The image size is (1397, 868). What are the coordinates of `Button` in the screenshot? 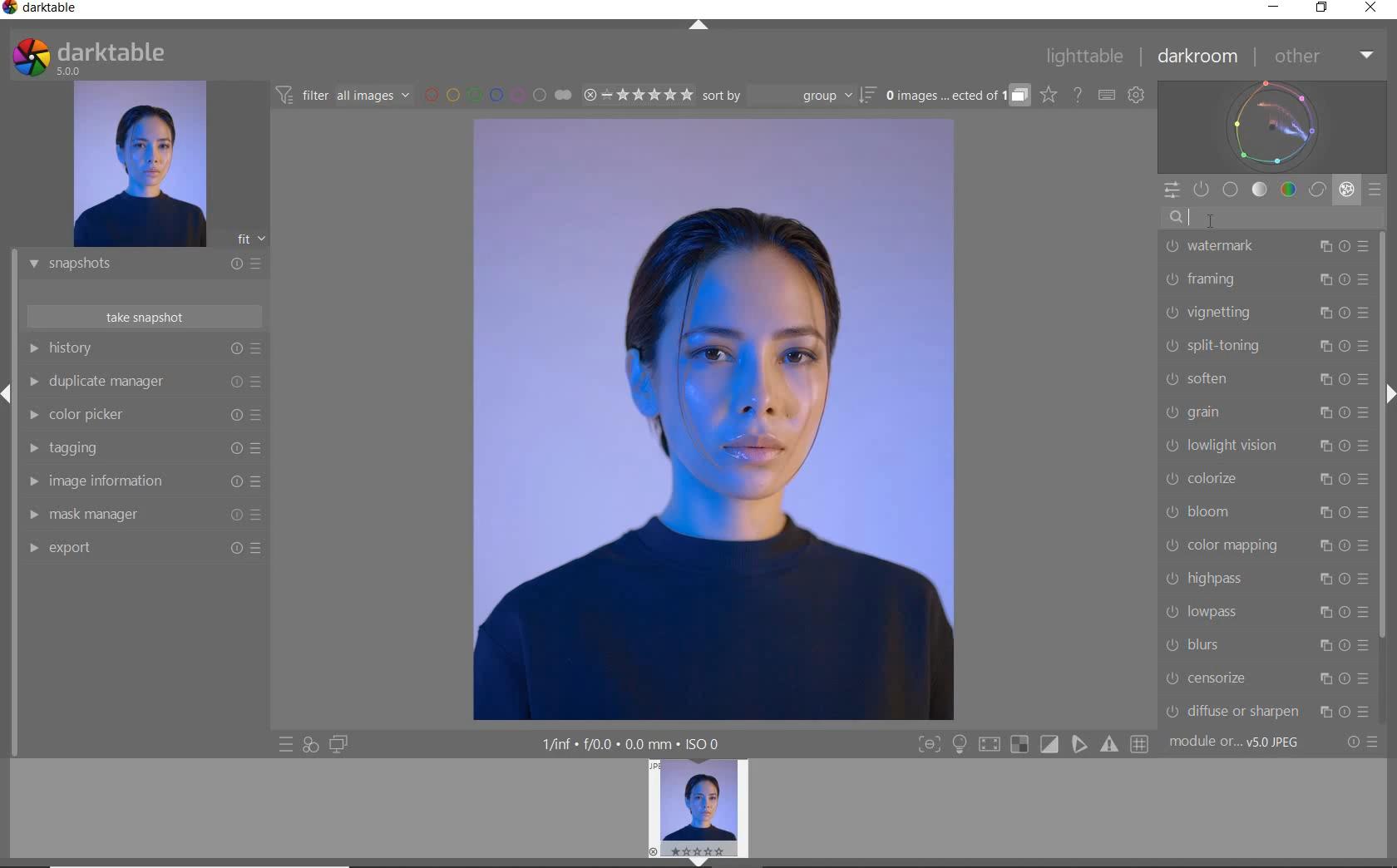 It's located at (1050, 745).